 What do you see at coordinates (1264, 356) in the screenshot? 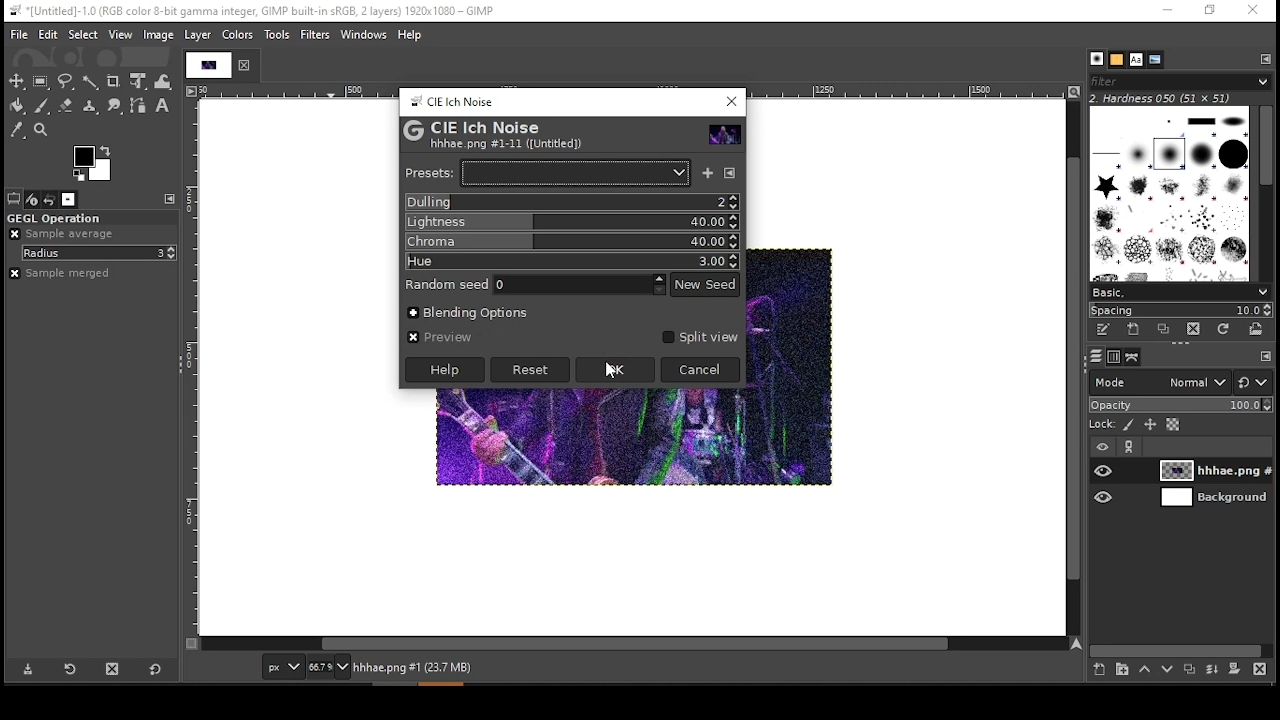
I see `configure this tab` at bounding box center [1264, 356].